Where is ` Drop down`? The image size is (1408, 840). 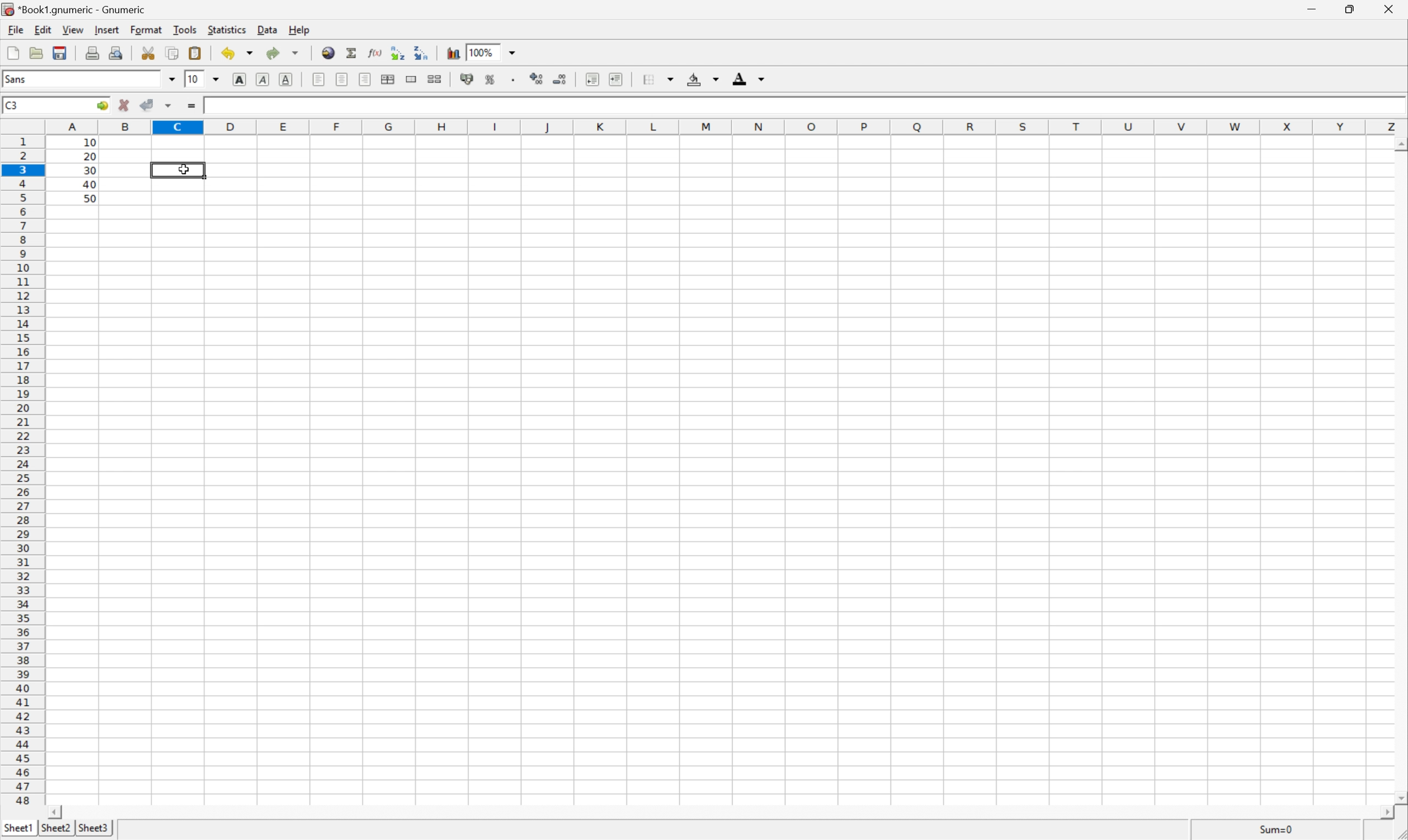
 Drop down is located at coordinates (171, 77).